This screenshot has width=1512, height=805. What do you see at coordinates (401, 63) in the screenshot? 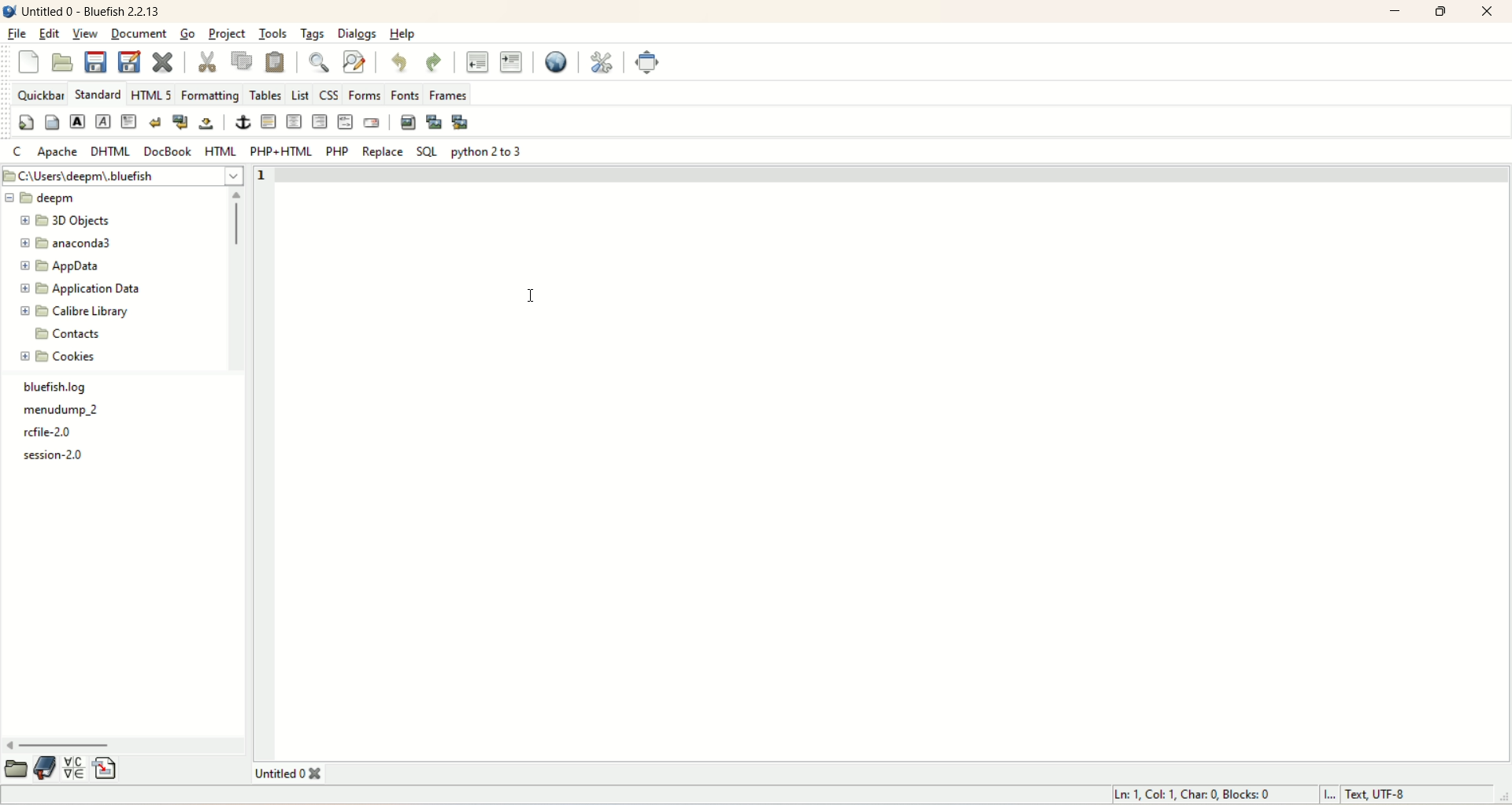
I see `undo` at bounding box center [401, 63].